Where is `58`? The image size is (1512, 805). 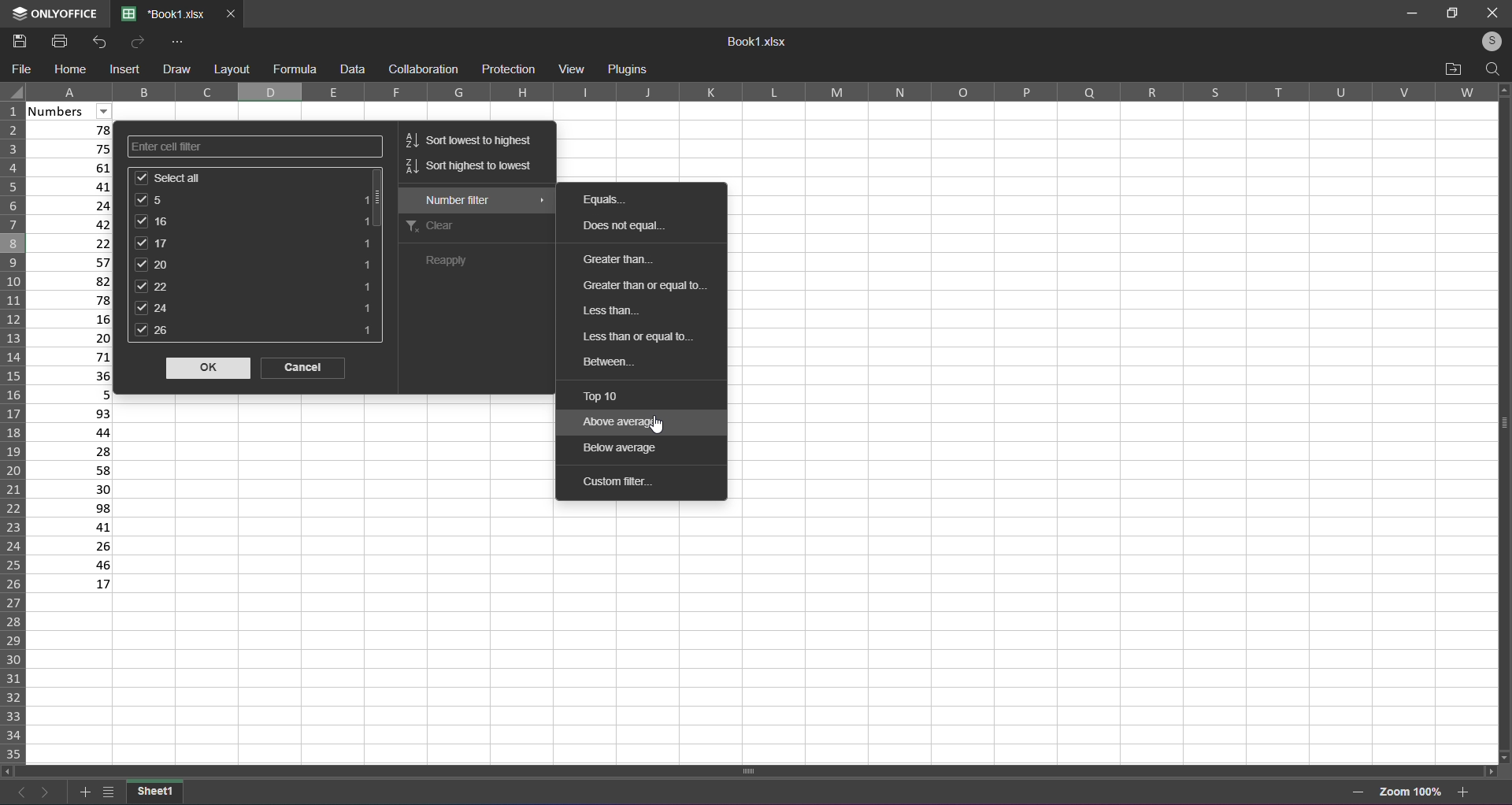 58 is located at coordinates (71, 470).